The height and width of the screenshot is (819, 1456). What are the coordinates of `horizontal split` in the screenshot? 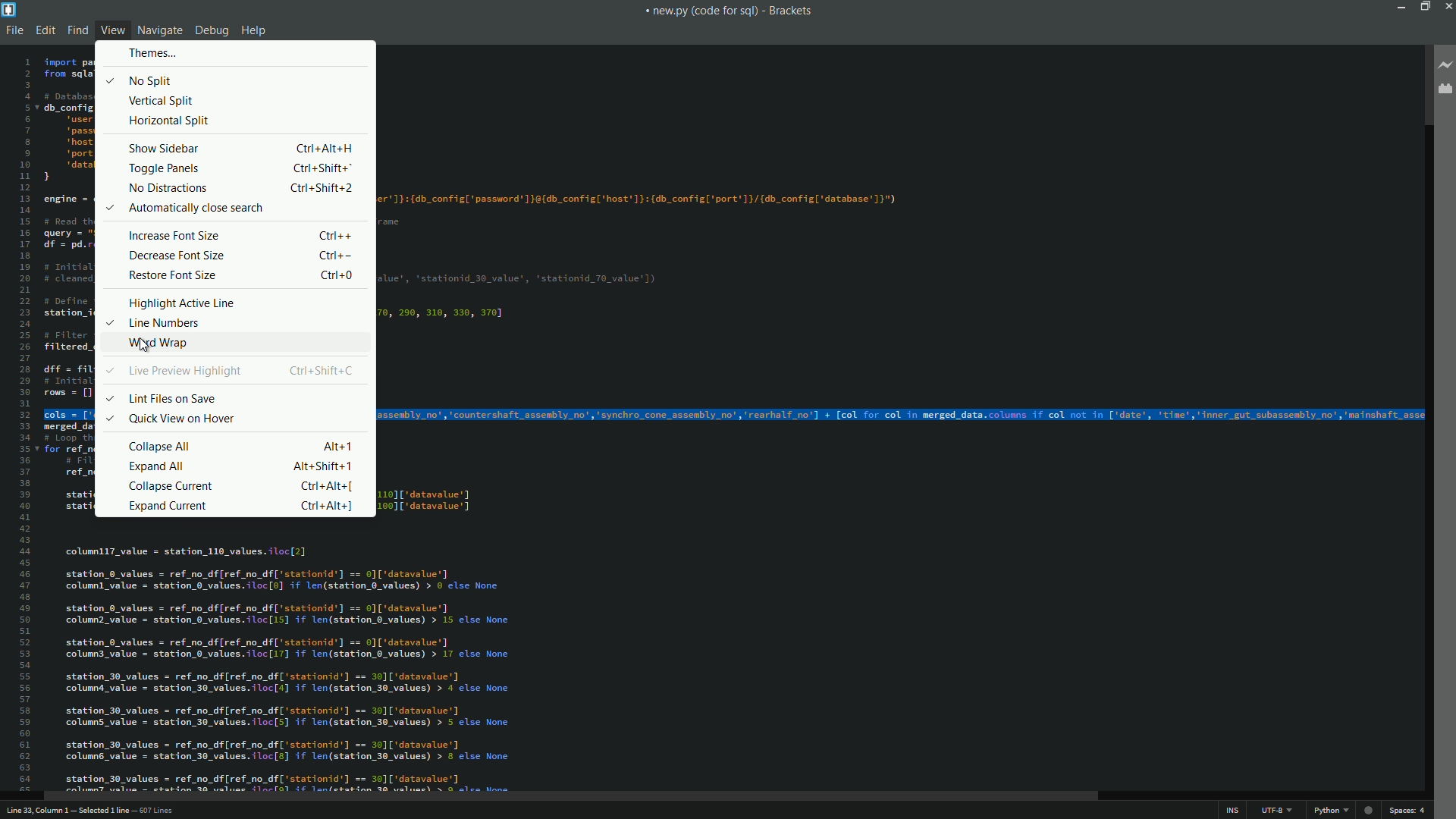 It's located at (169, 121).